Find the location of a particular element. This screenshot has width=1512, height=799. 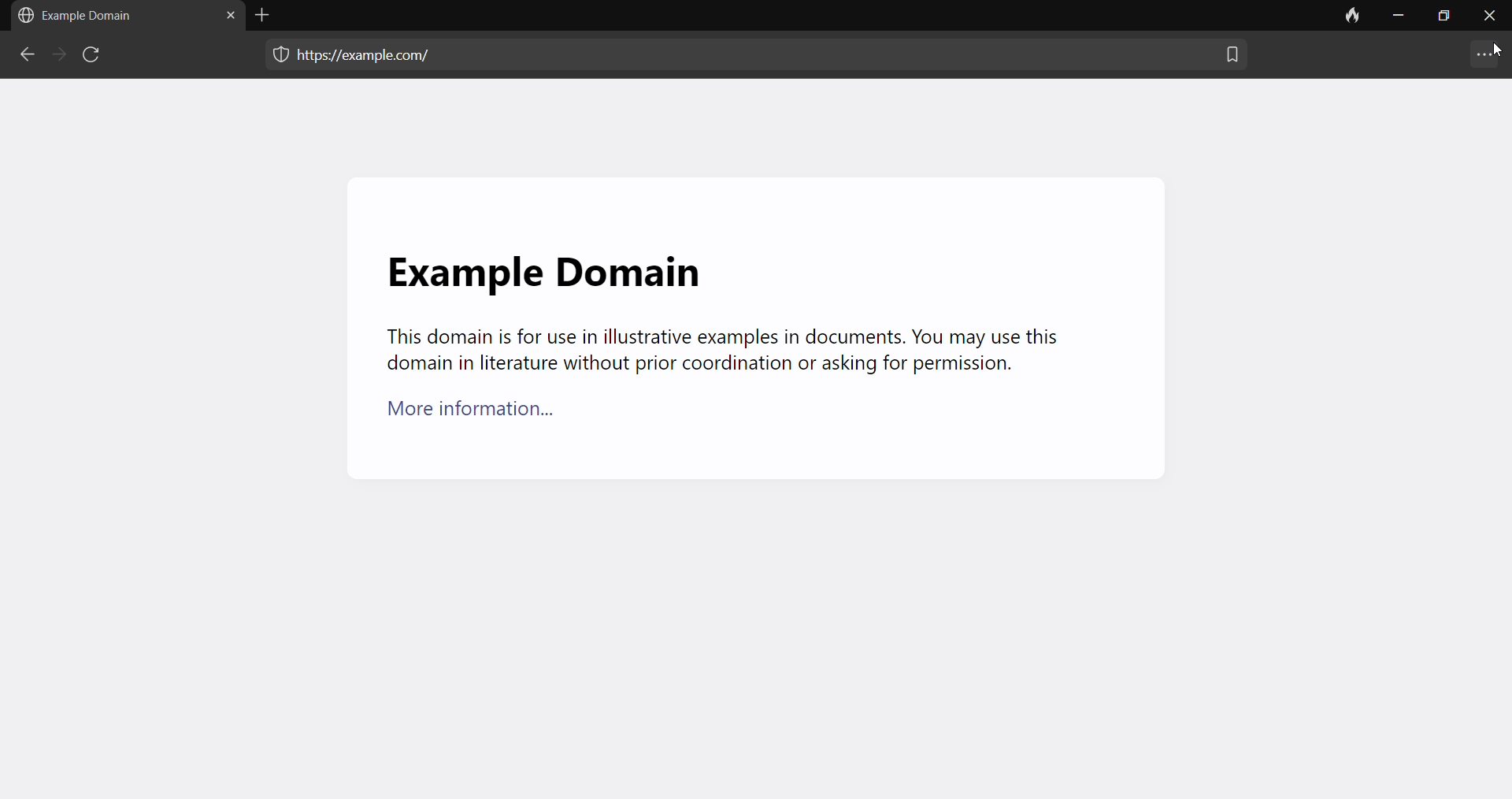

more settings is located at coordinates (1484, 55).